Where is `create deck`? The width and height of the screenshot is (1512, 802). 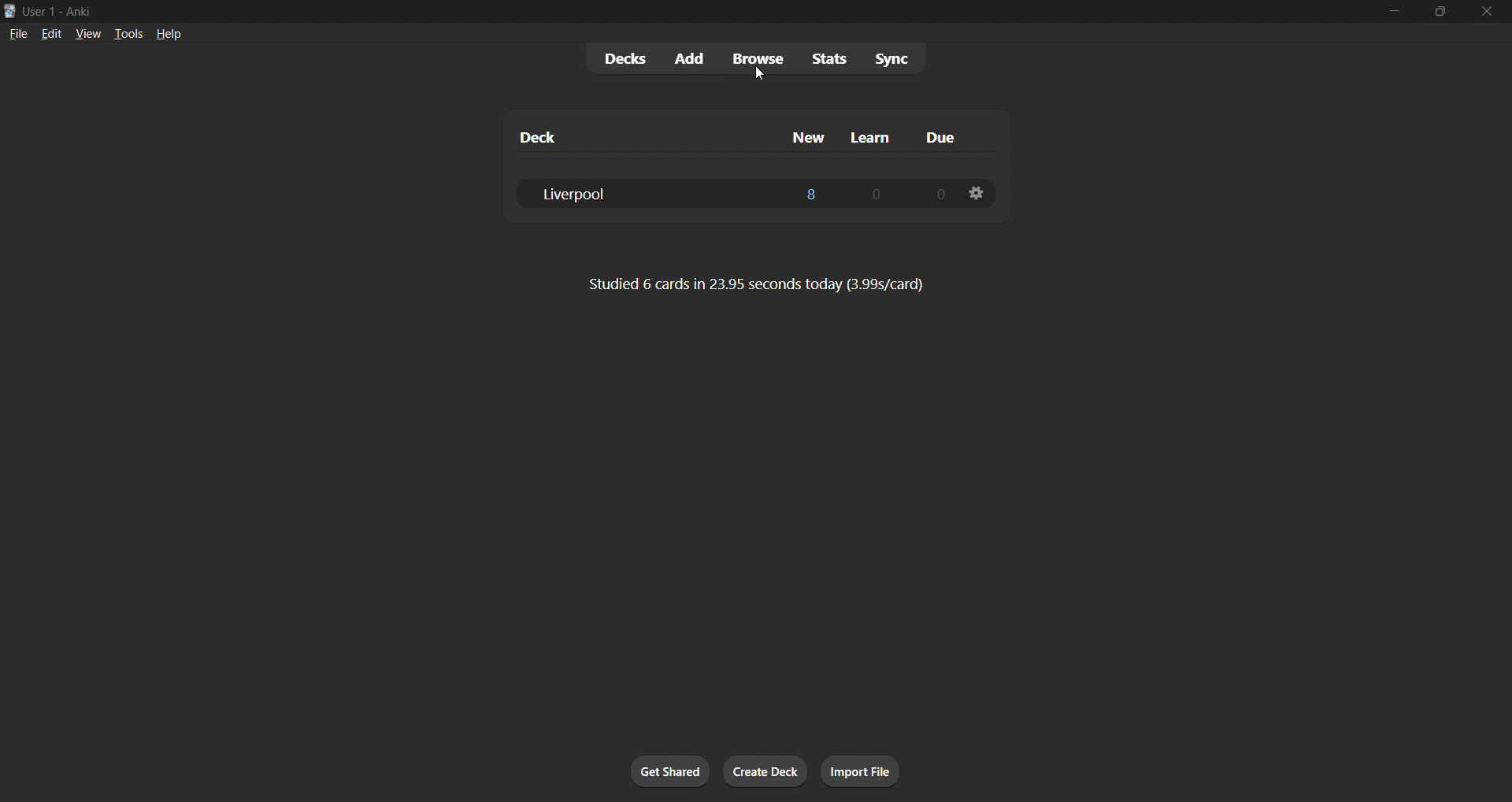
create deck is located at coordinates (765, 770).